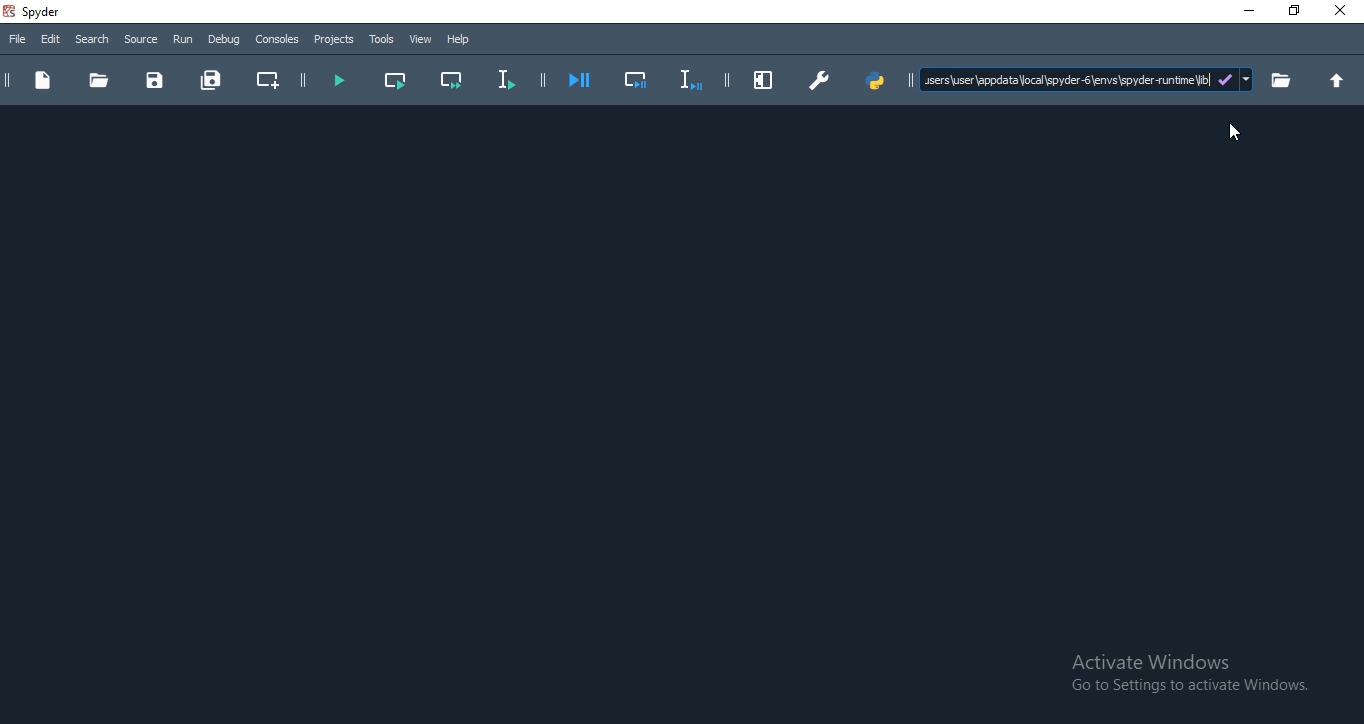  I want to click on Consoles, so click(277, 40).